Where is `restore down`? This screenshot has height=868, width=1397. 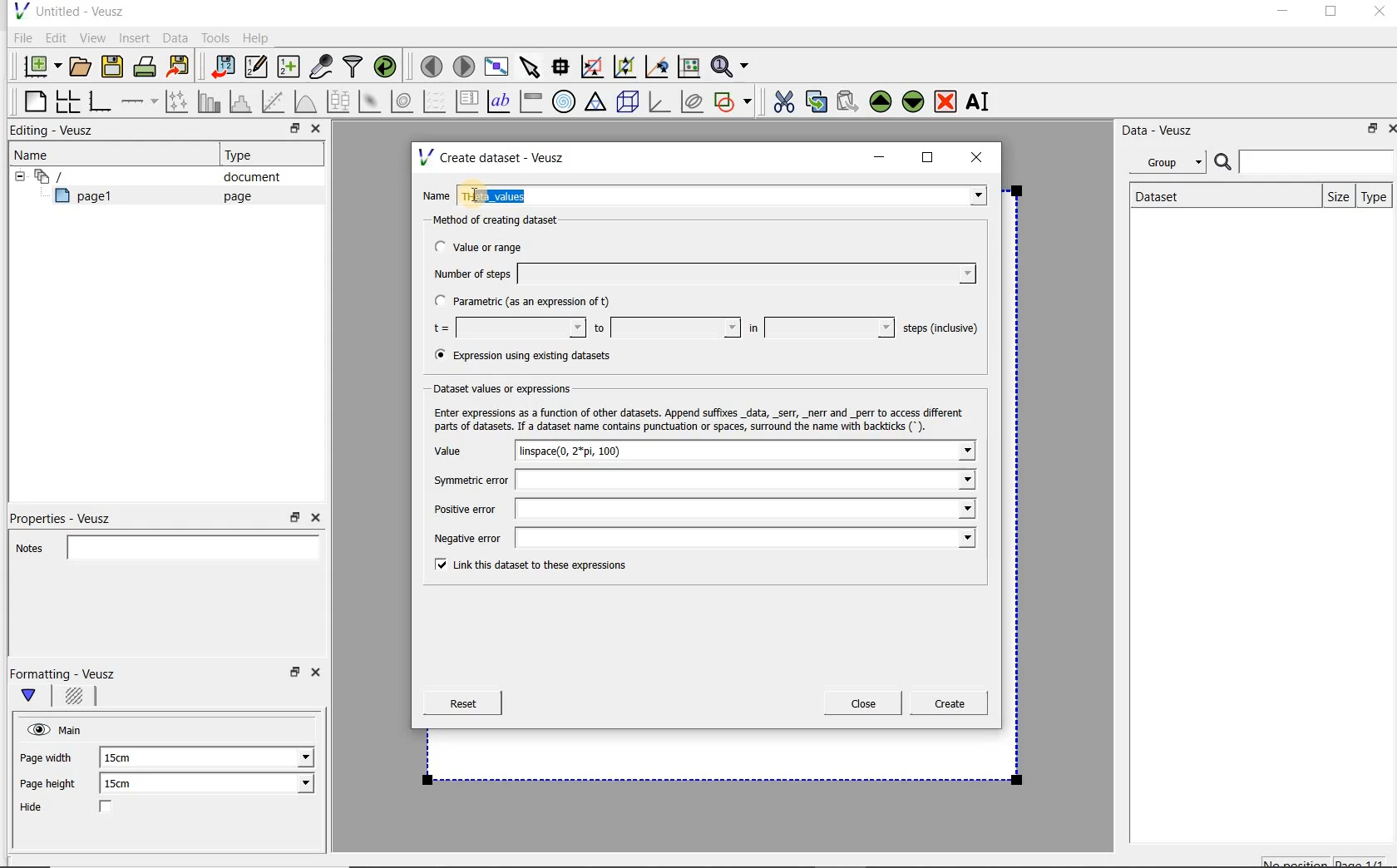
restore down is located at coordinates (1368, 131).